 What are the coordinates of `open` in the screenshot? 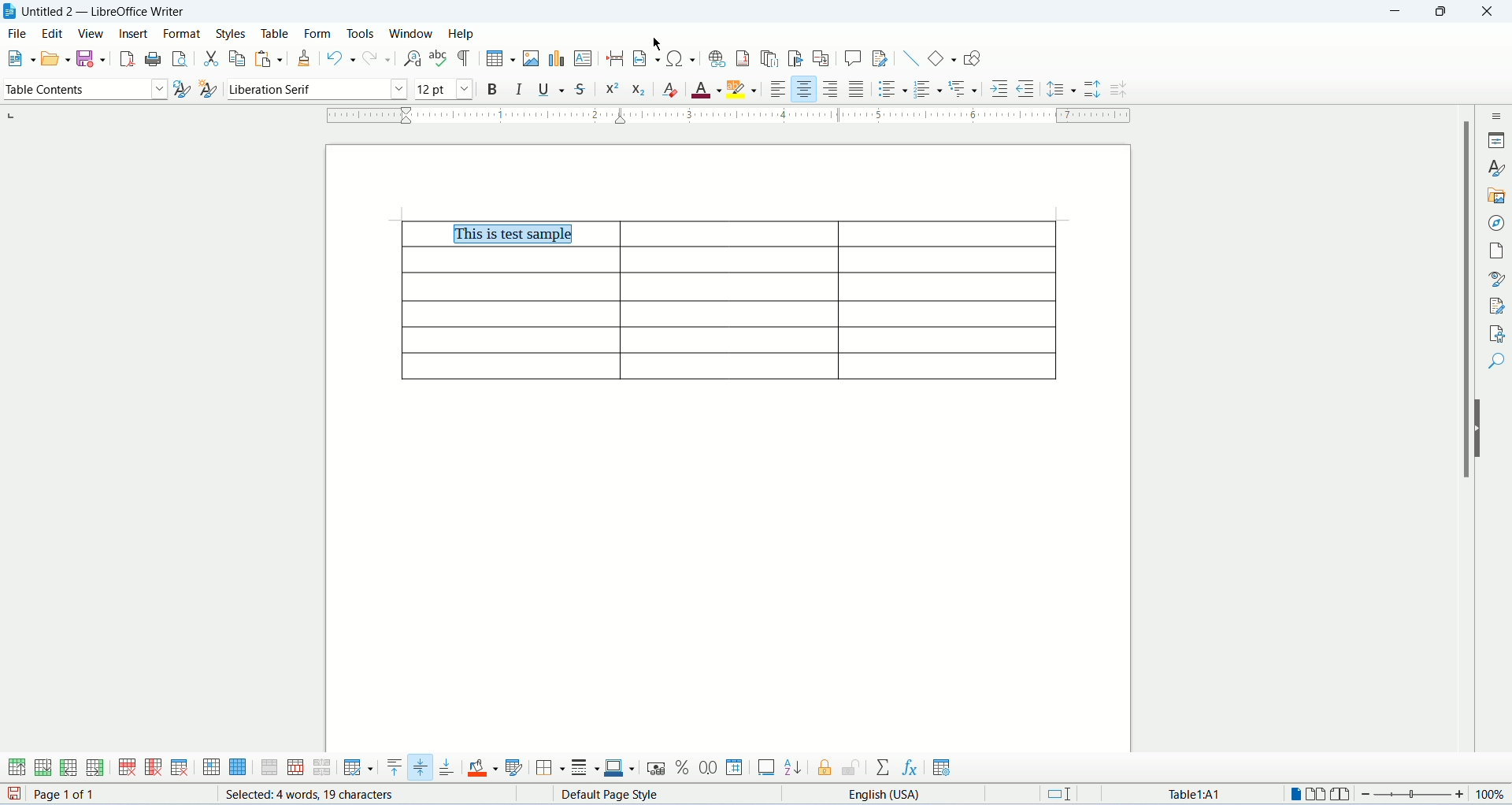 It's located at (56, 59).